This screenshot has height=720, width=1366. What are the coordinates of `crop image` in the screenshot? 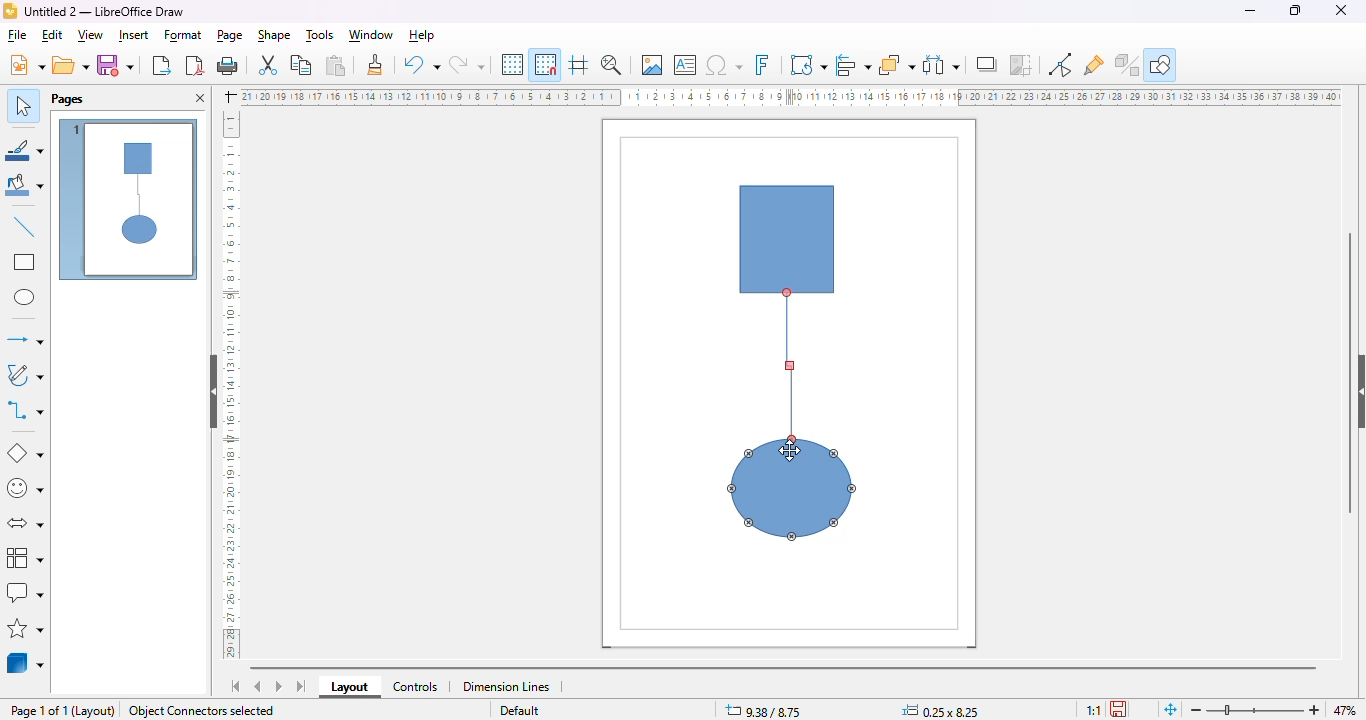 It's located at (1020, 65).